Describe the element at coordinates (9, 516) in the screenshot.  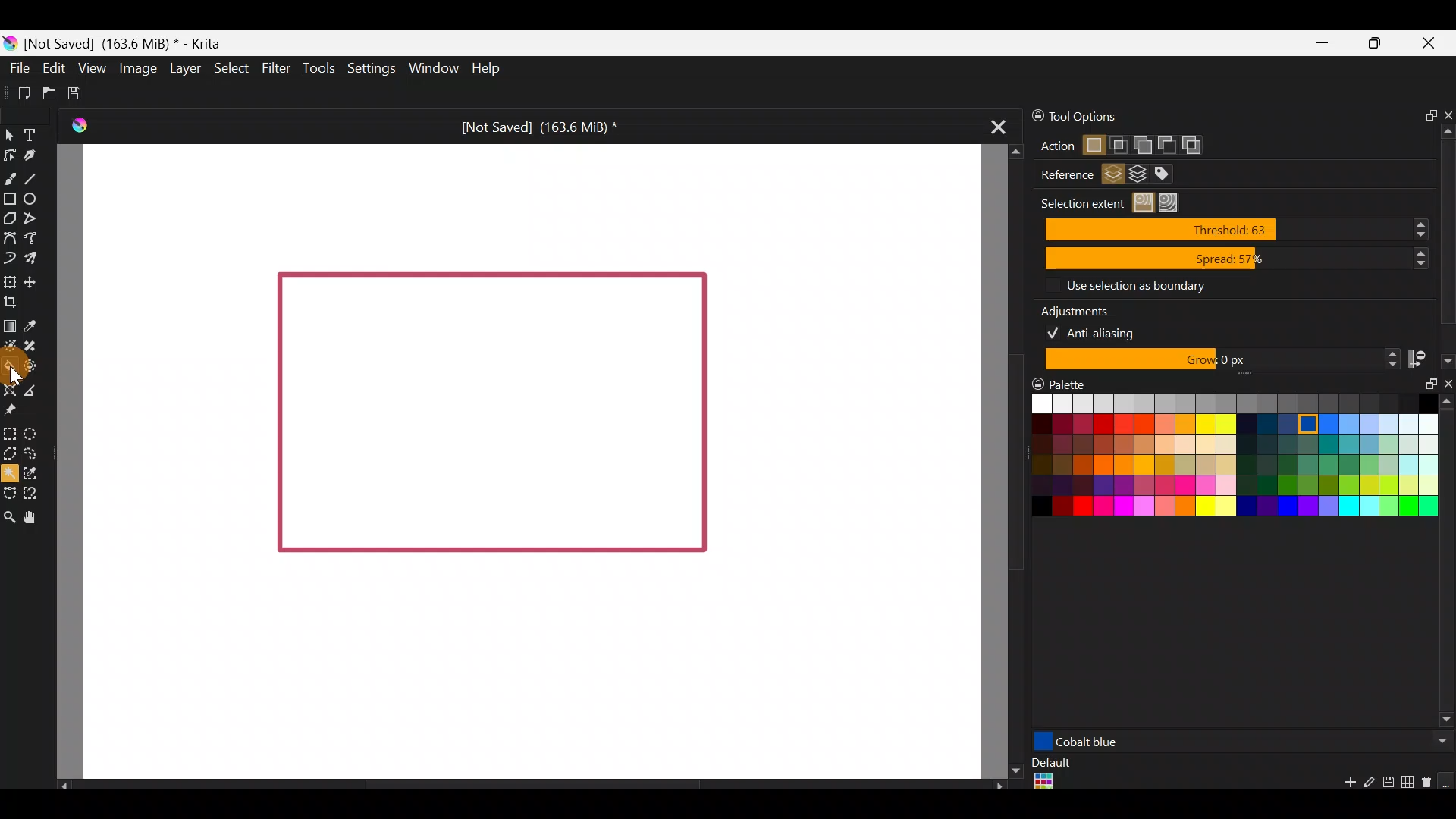
I see `Zoom tool` at that location.